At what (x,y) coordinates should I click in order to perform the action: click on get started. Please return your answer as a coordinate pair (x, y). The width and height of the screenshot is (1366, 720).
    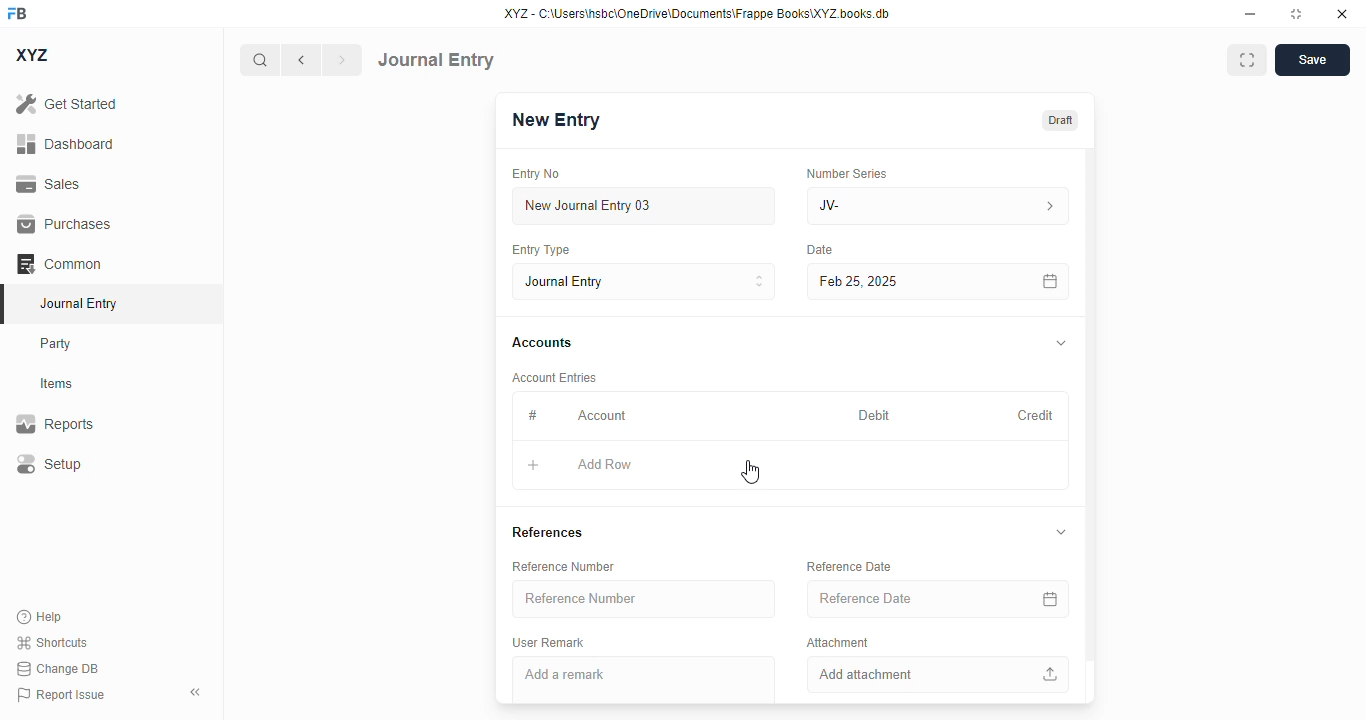
    Looking at the image, I should click on (66, 103).